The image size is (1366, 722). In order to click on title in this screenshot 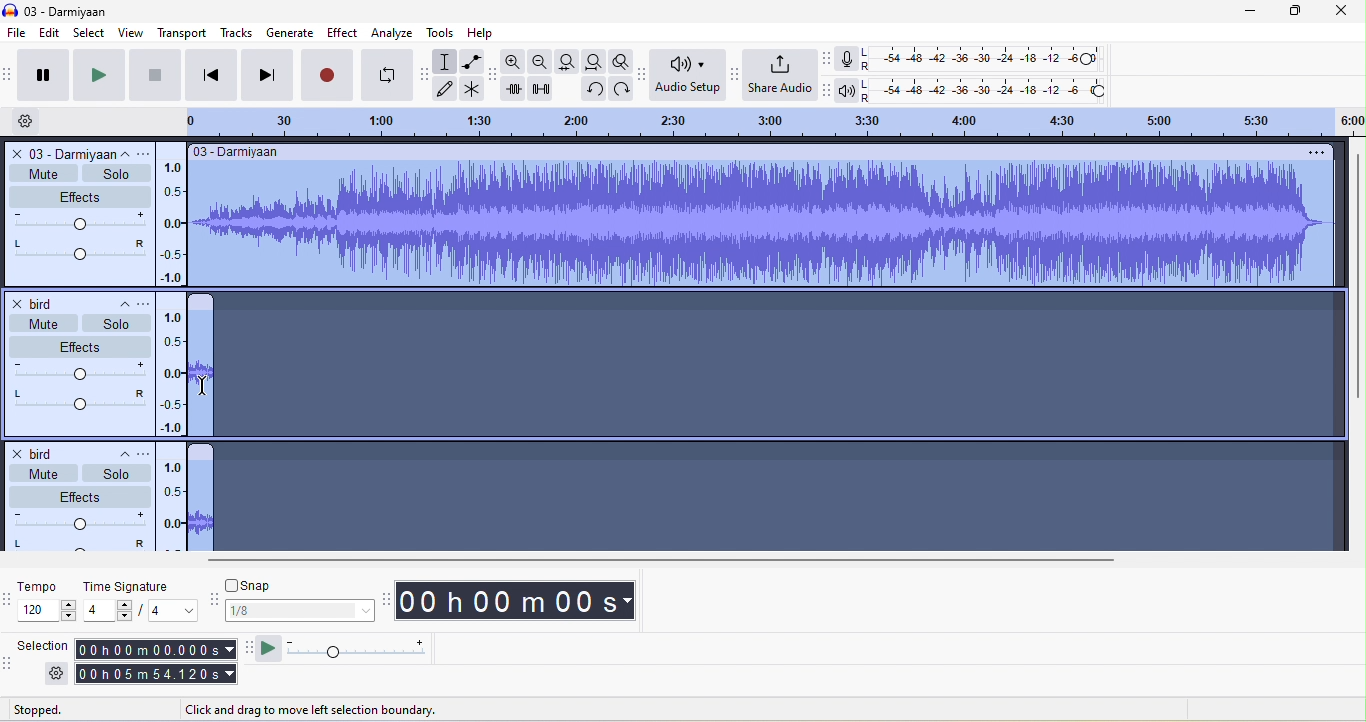, I will do `click(65, 10)`.